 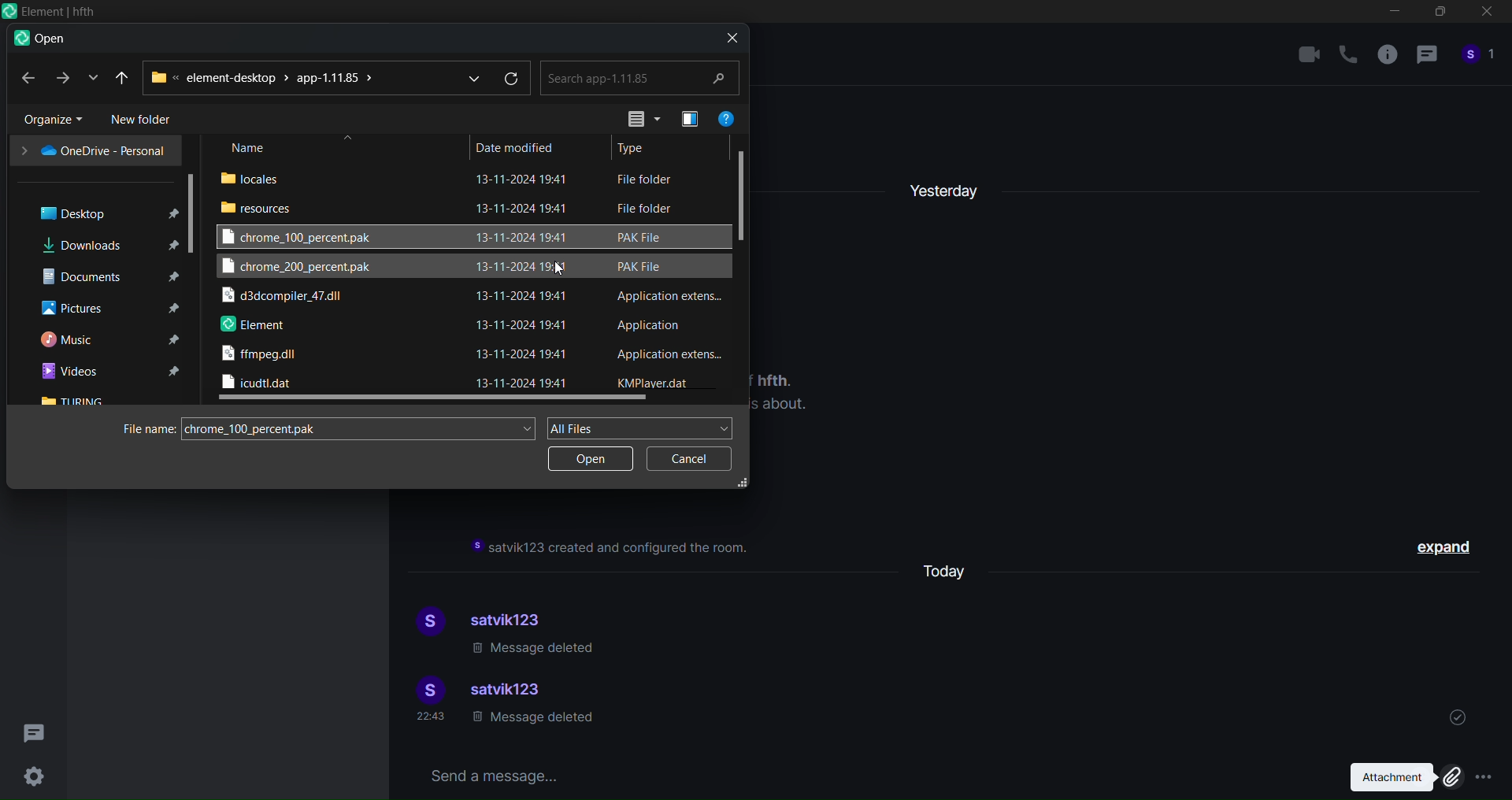 I want to click on videos, so click(x=109, y=372).